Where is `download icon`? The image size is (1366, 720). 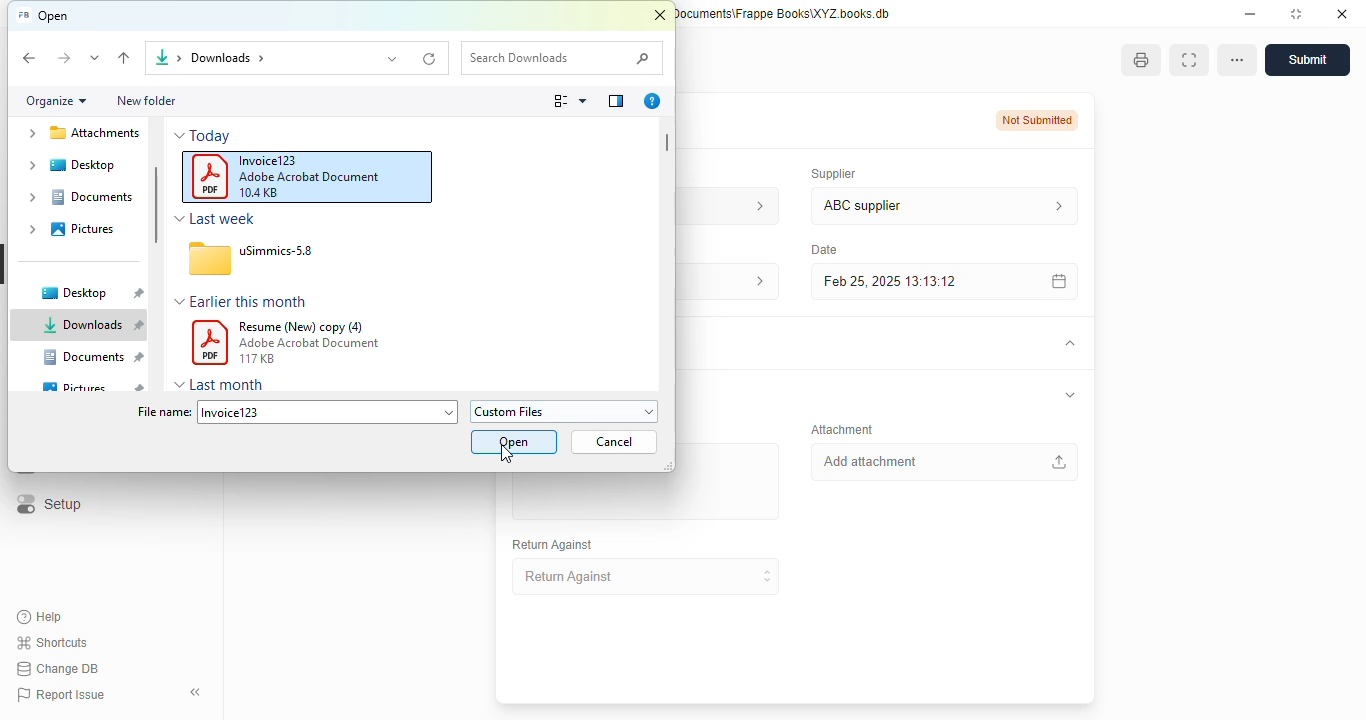 download icon is located at coordinates (159, 58).